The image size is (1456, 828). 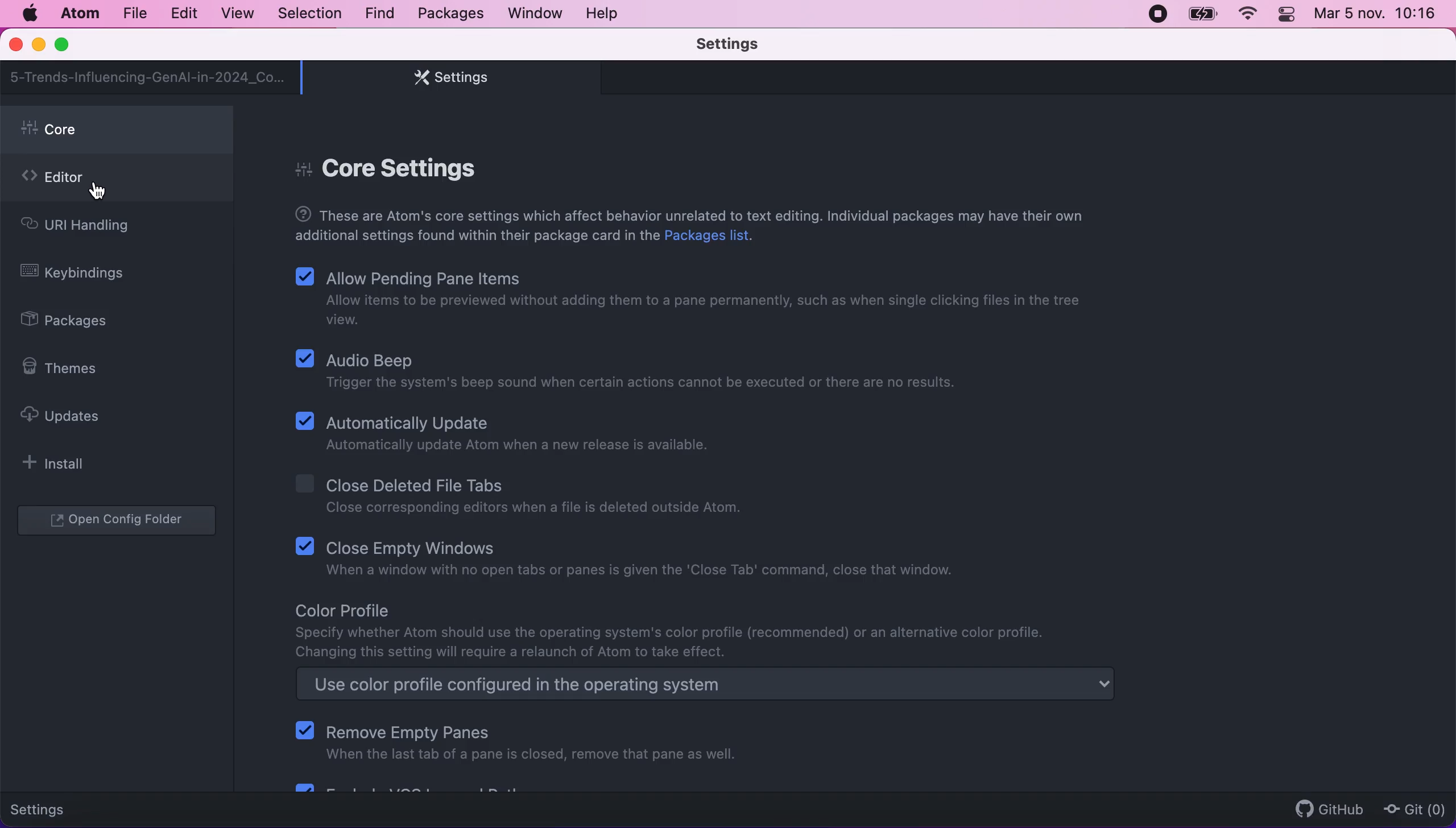 What do you see at coordinates (520, 742) in the screenshot?
I see `remove empty panes` at bounding box center [520, 742].